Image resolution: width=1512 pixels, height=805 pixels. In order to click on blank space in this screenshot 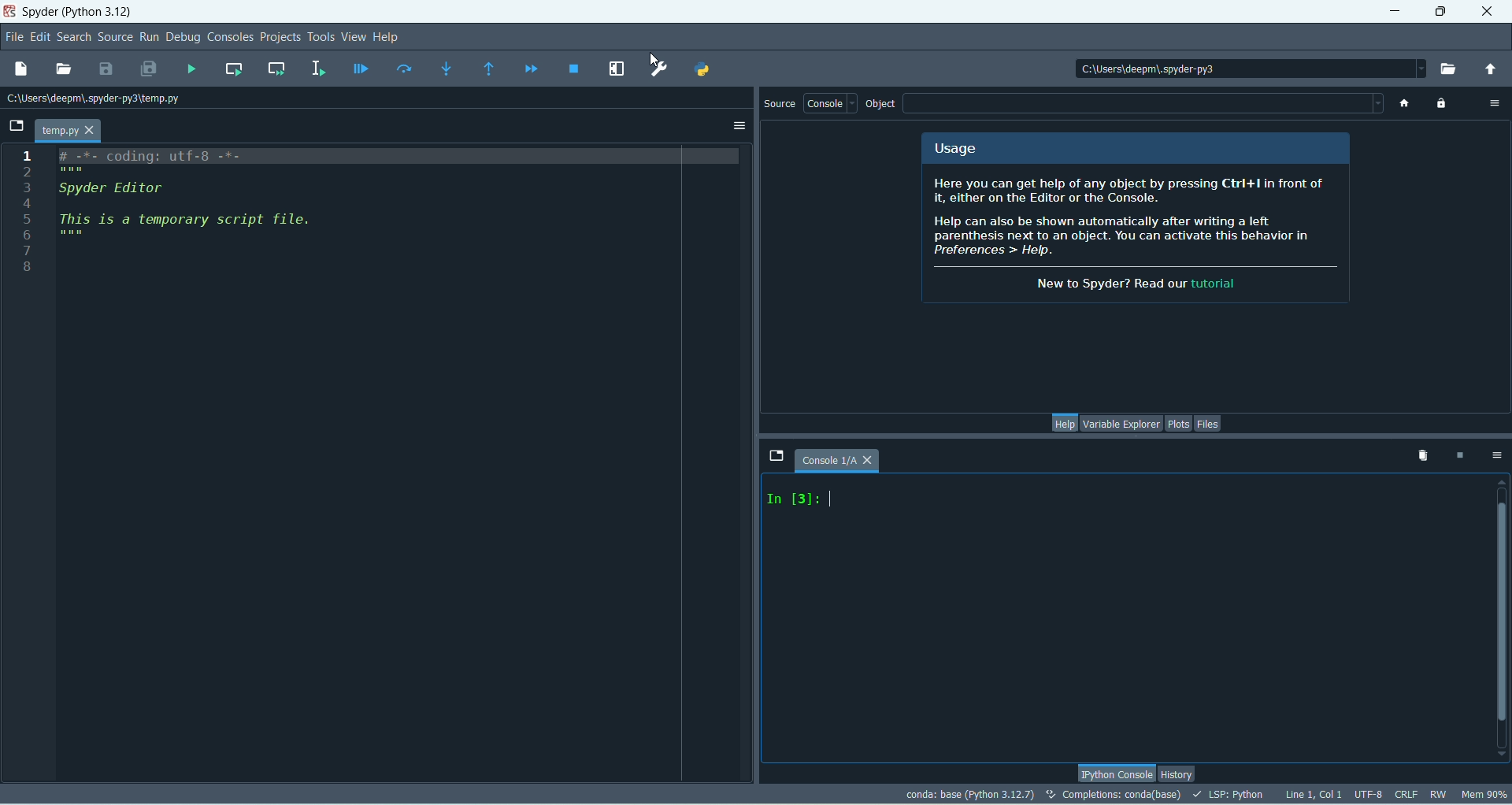, I will do `click(1144, 103)`.